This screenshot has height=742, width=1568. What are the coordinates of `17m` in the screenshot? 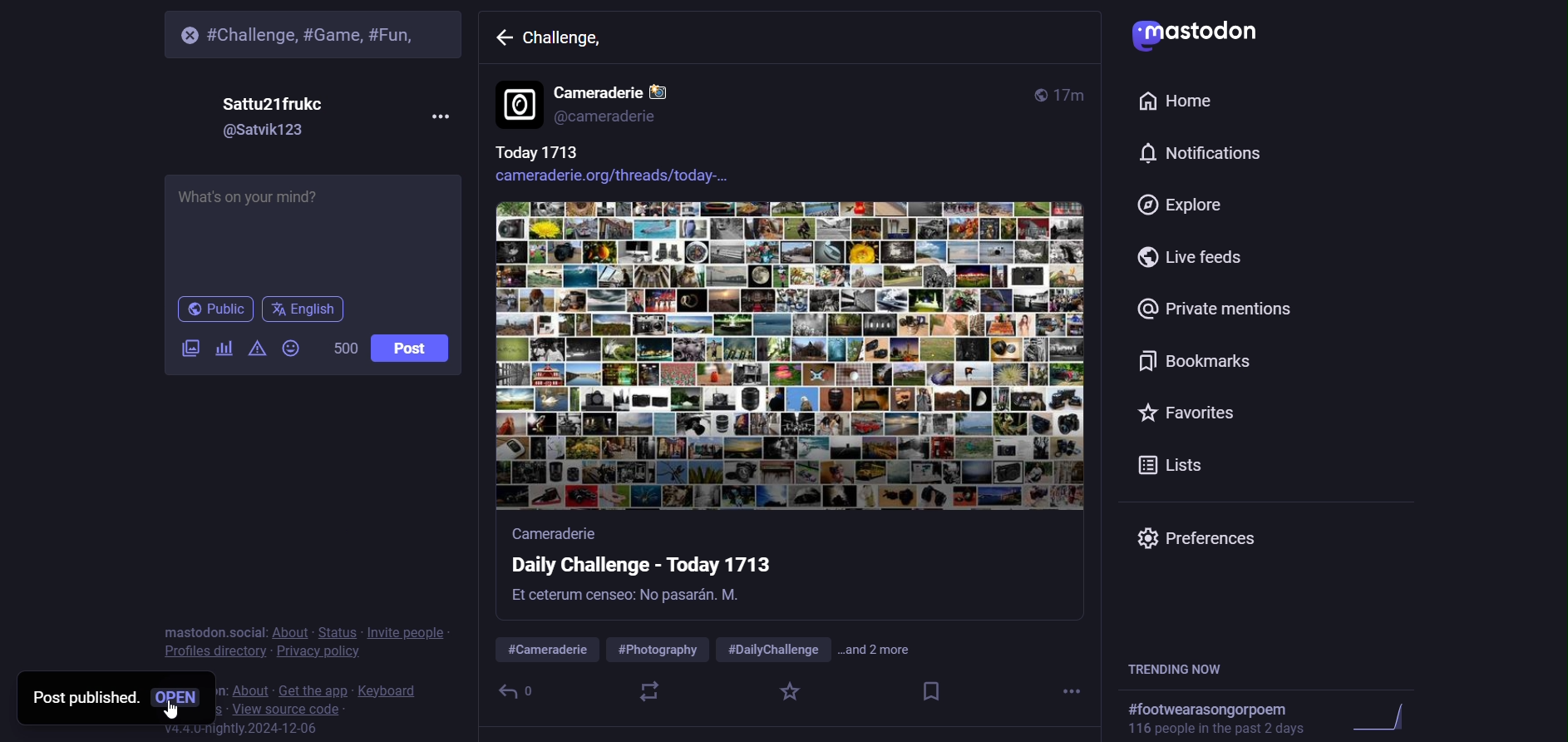 It's located at (1073, 96).